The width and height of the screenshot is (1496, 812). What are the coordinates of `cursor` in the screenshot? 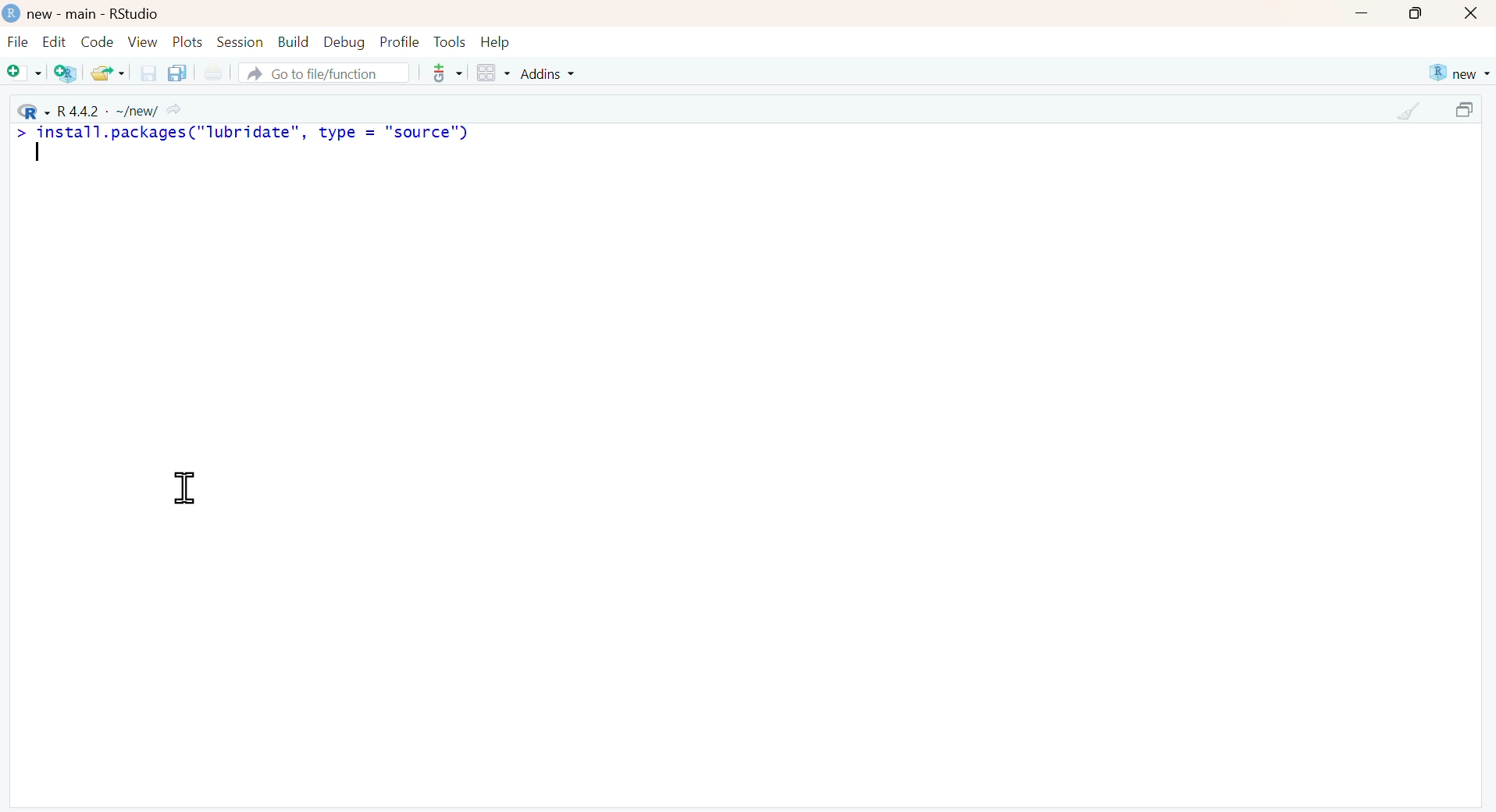 It's located at (182, 488).